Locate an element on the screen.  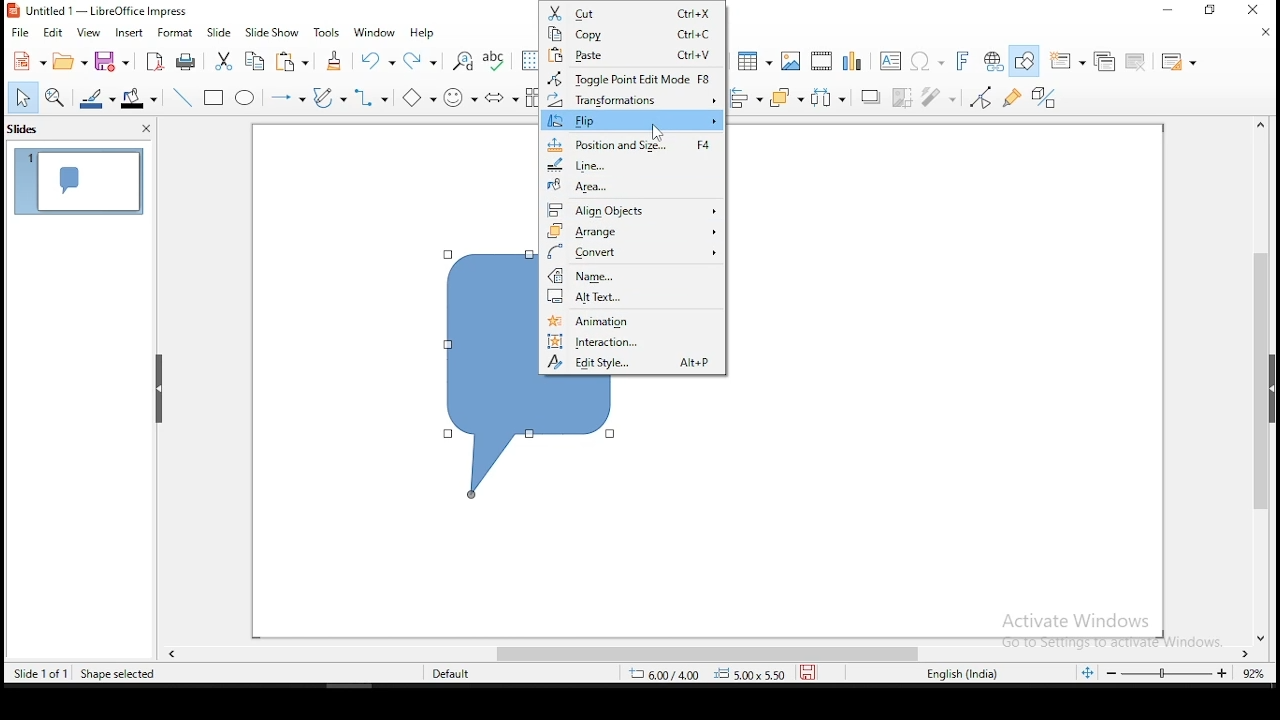
convert is located at coordinates (631, 252).